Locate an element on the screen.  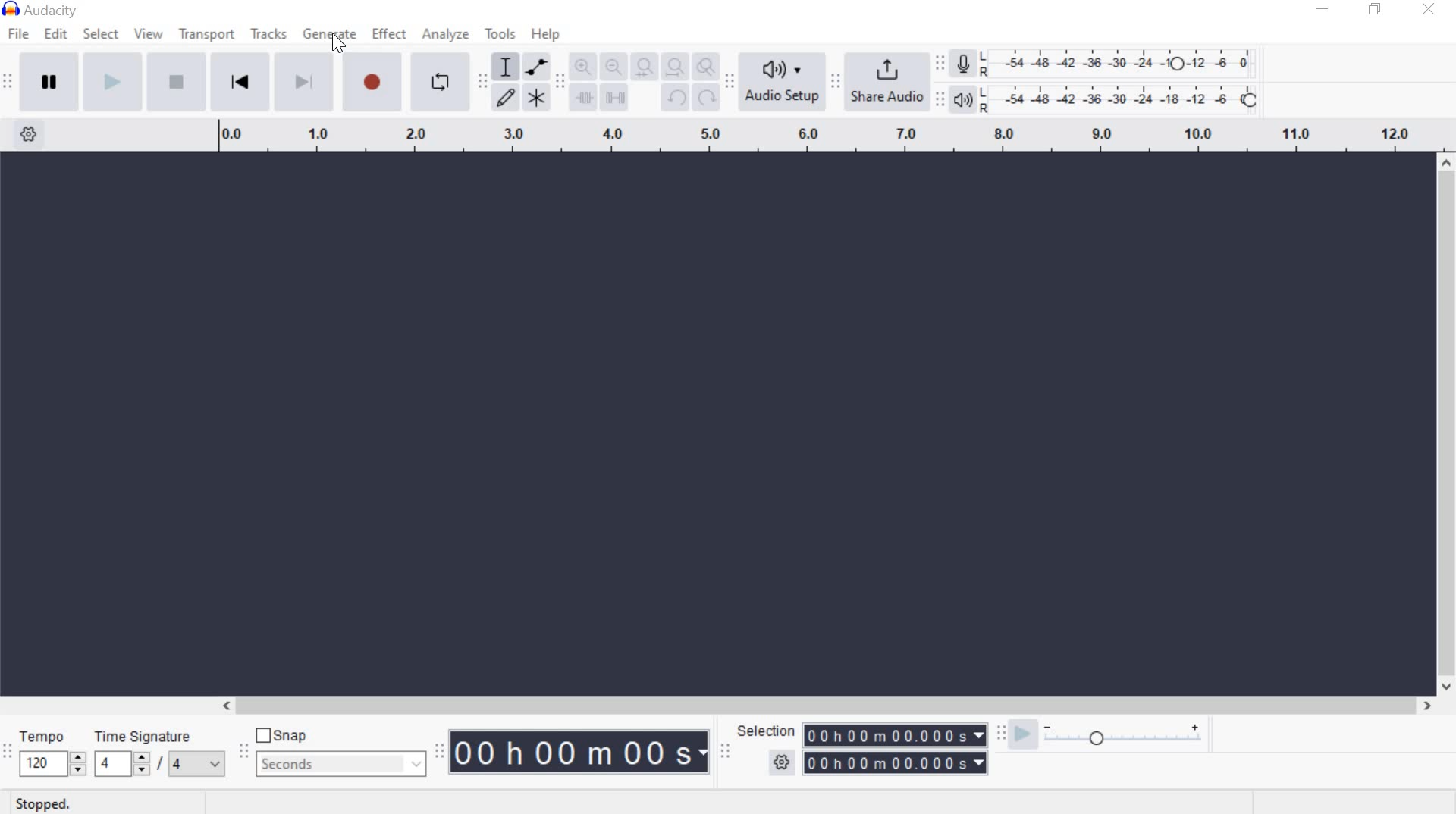
Looping Region is located at coordinates (823, 136).